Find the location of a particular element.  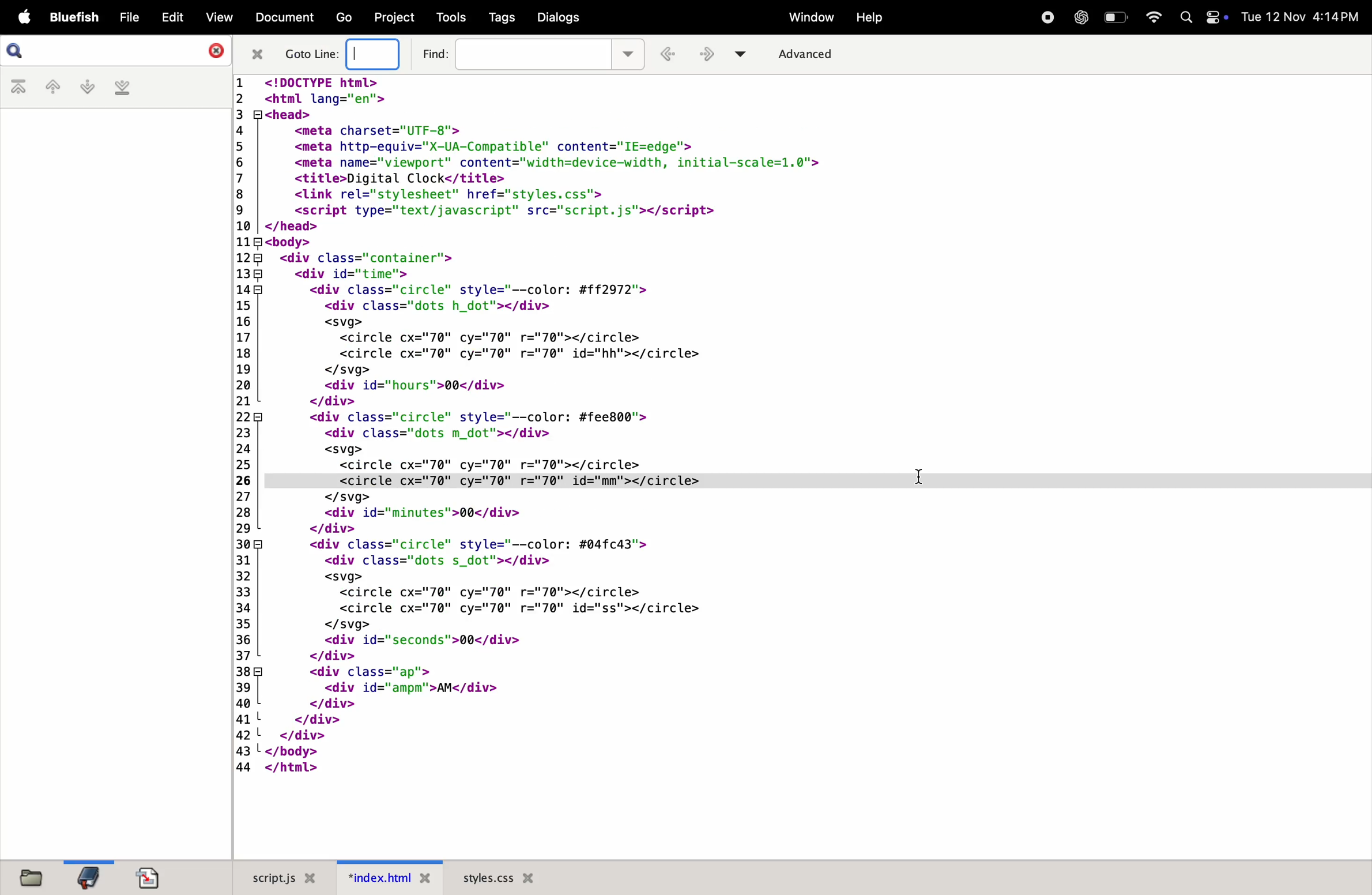

file is located at coordinates (36, 878).